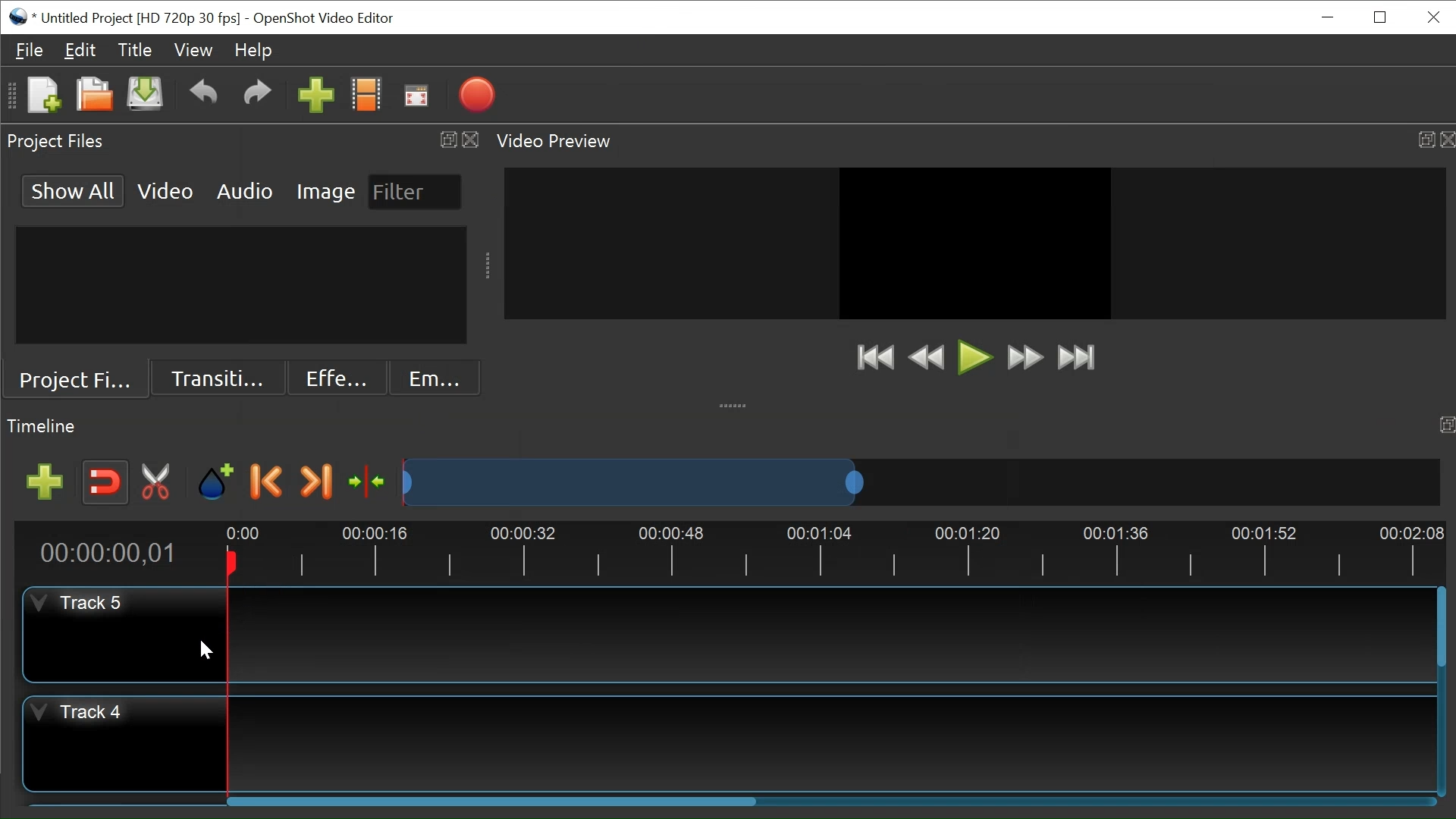 This screenshot has width=1456, height=819. What do you see at coordinates (830, 743) in the screenshot?
I see `Track Panel` at bounding box center [830, 743].